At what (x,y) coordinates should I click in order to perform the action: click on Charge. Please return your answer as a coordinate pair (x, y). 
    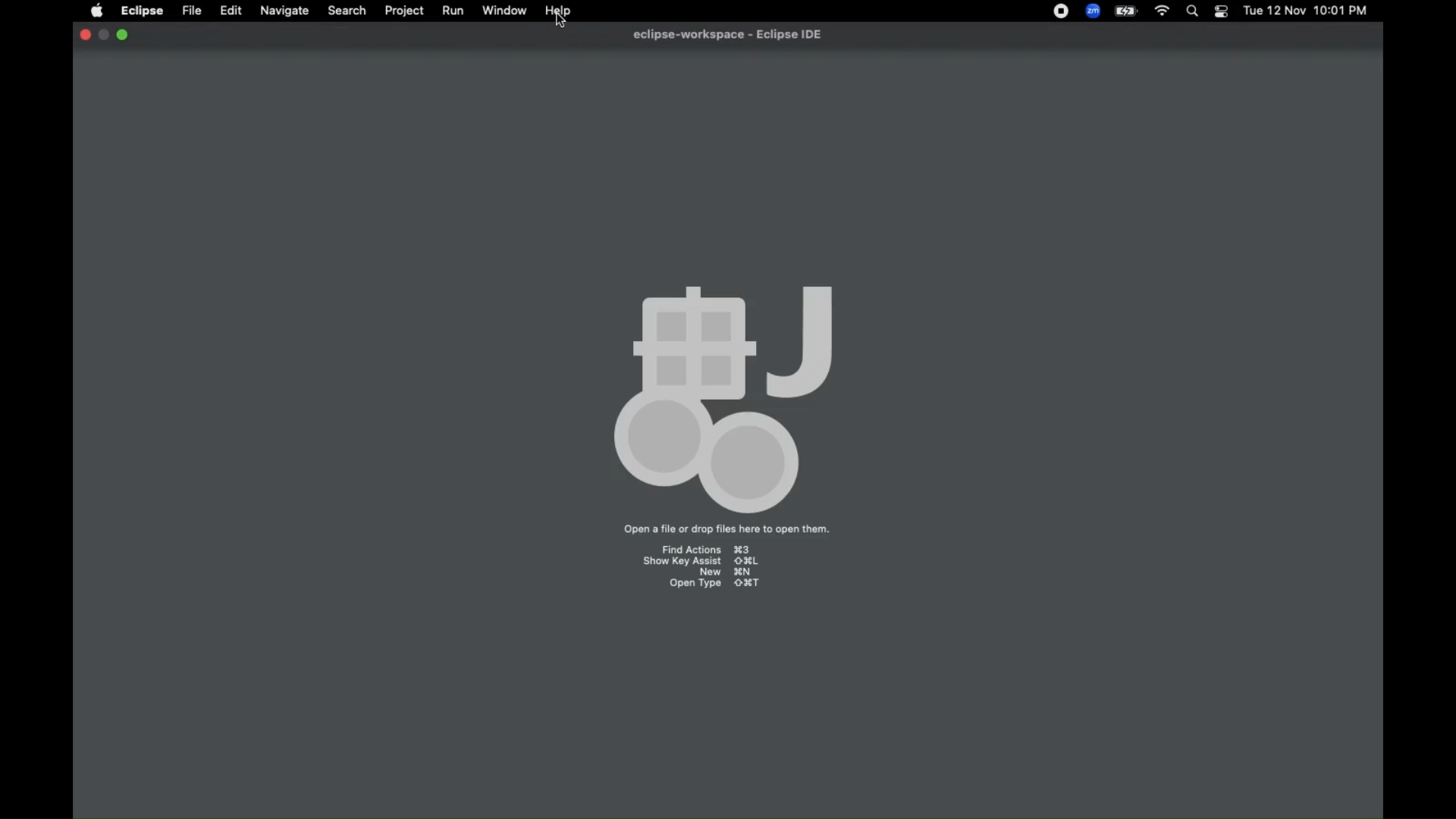
    Looking at the image, I should click on (1126, 11).